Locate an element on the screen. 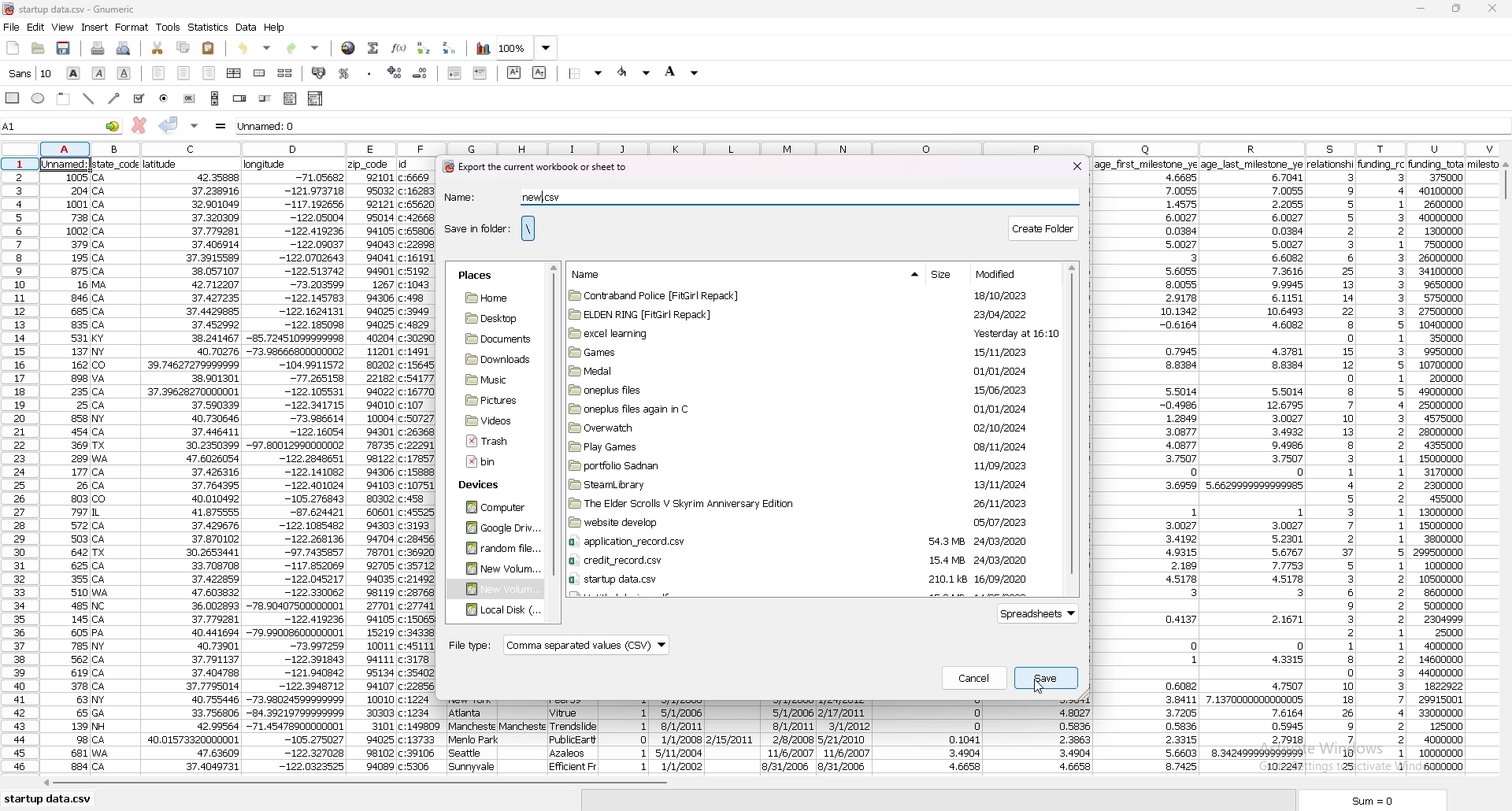 Image resolution: width=1512 pixels, height=811 pixels. scroll bar is located at coordinates (554, 420).